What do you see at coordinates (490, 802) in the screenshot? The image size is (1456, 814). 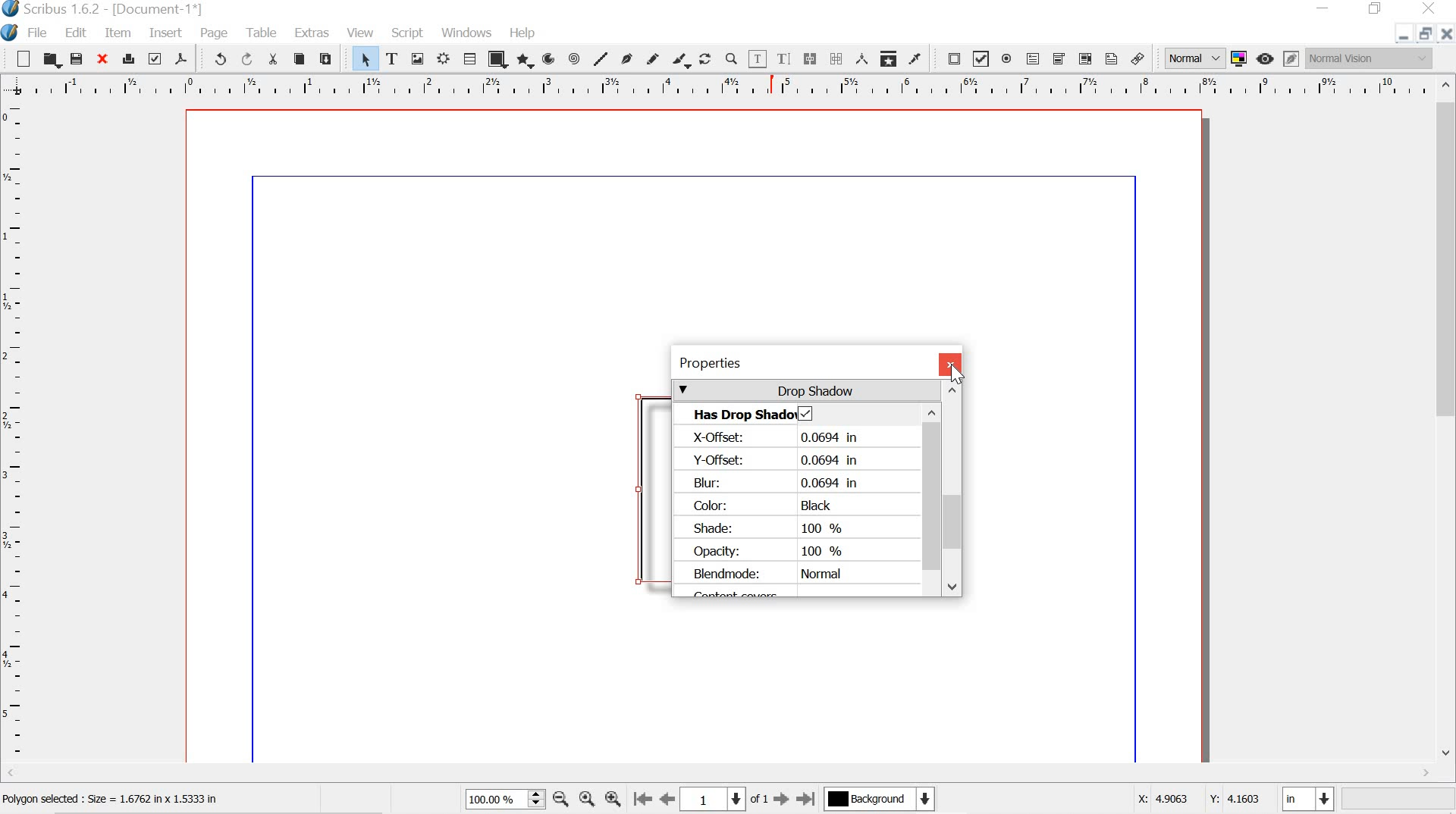 I see `100.00%` at bounding box center [490, 802].